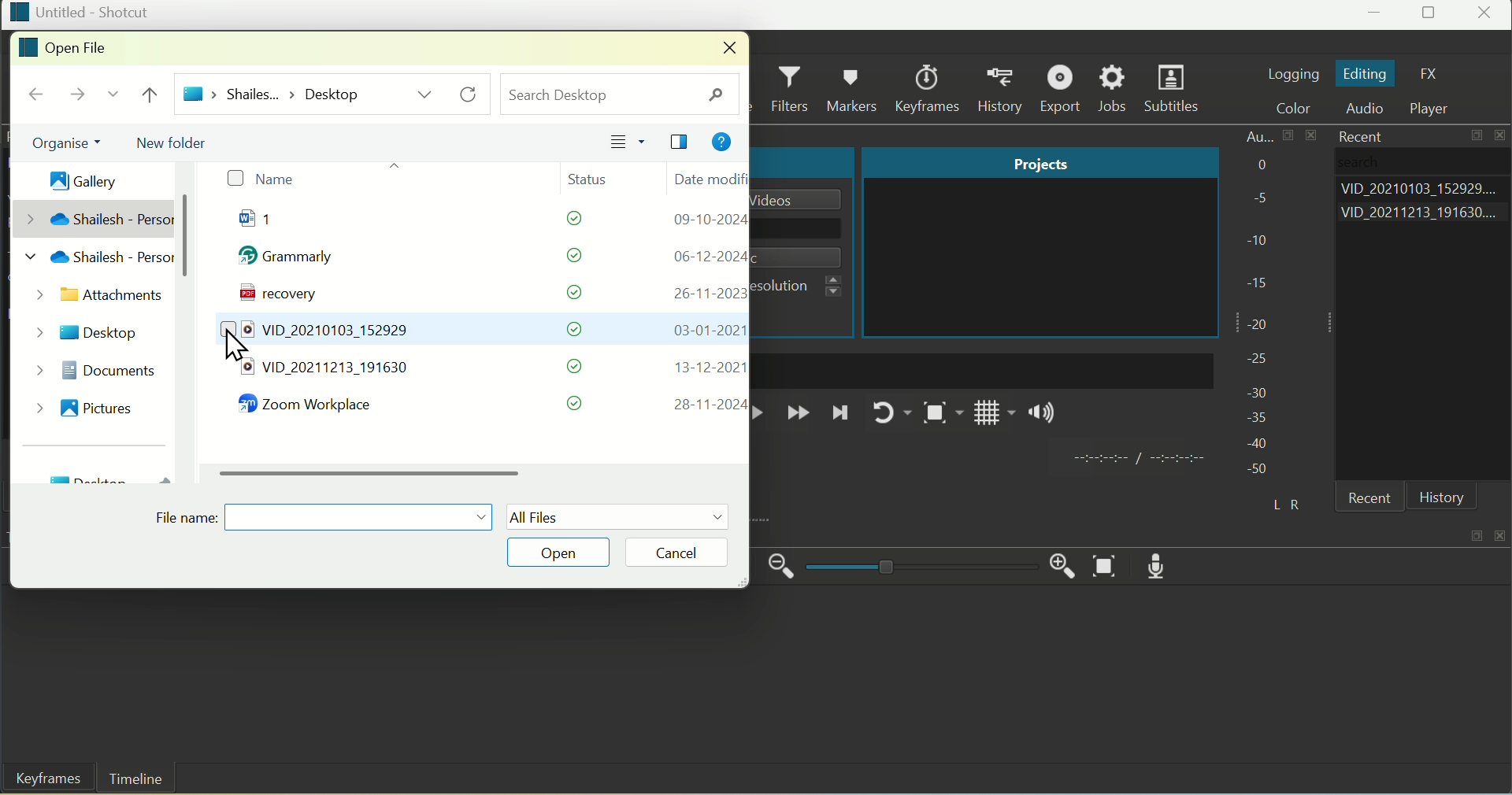 This screenshot has width=1512, height=795. Describe the element at coordinates (782, 567) in the screenshot. I see `Zoom out` at that location.